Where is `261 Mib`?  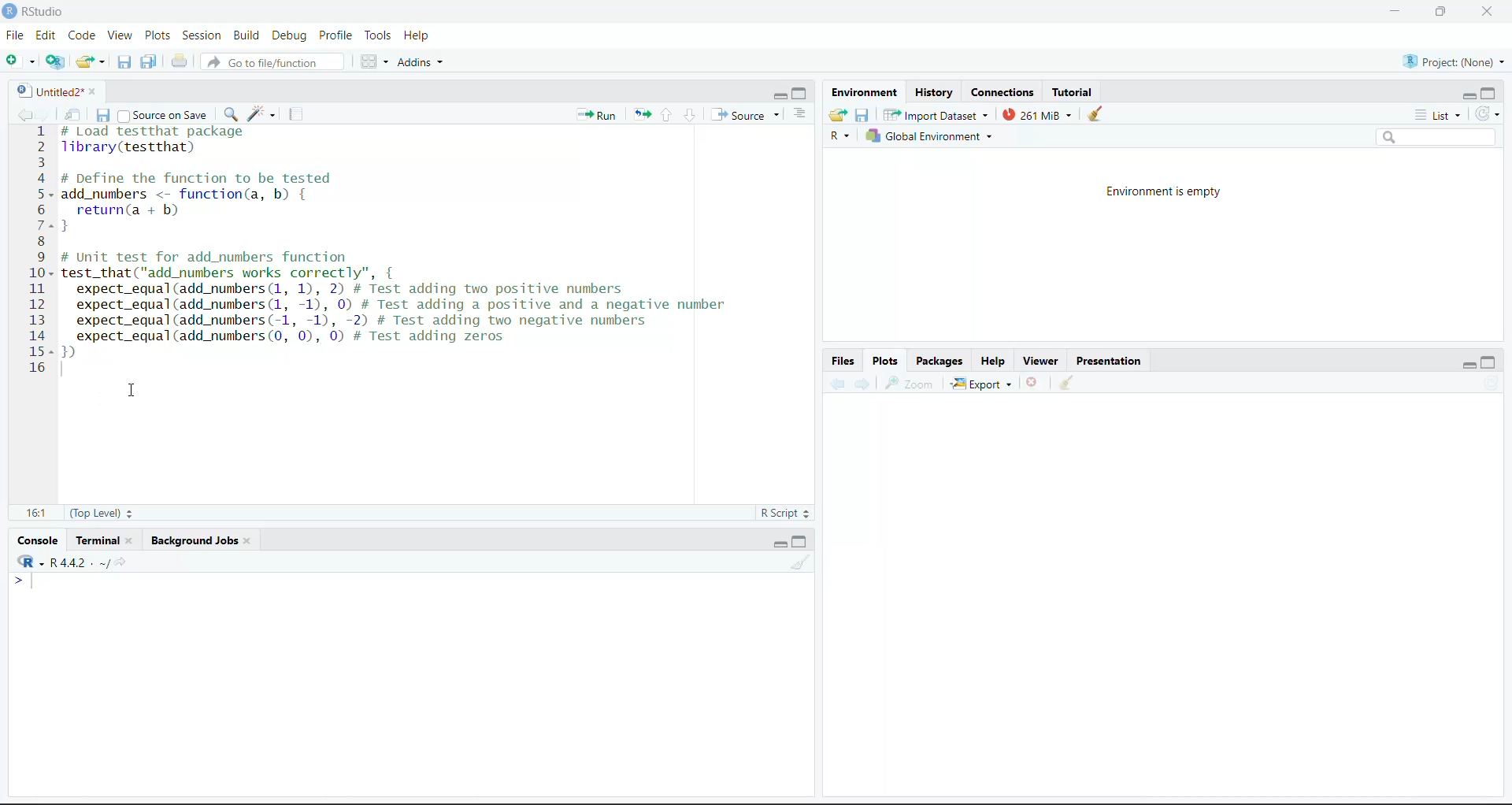
261 Mib is located at coordinates (1038, 115).